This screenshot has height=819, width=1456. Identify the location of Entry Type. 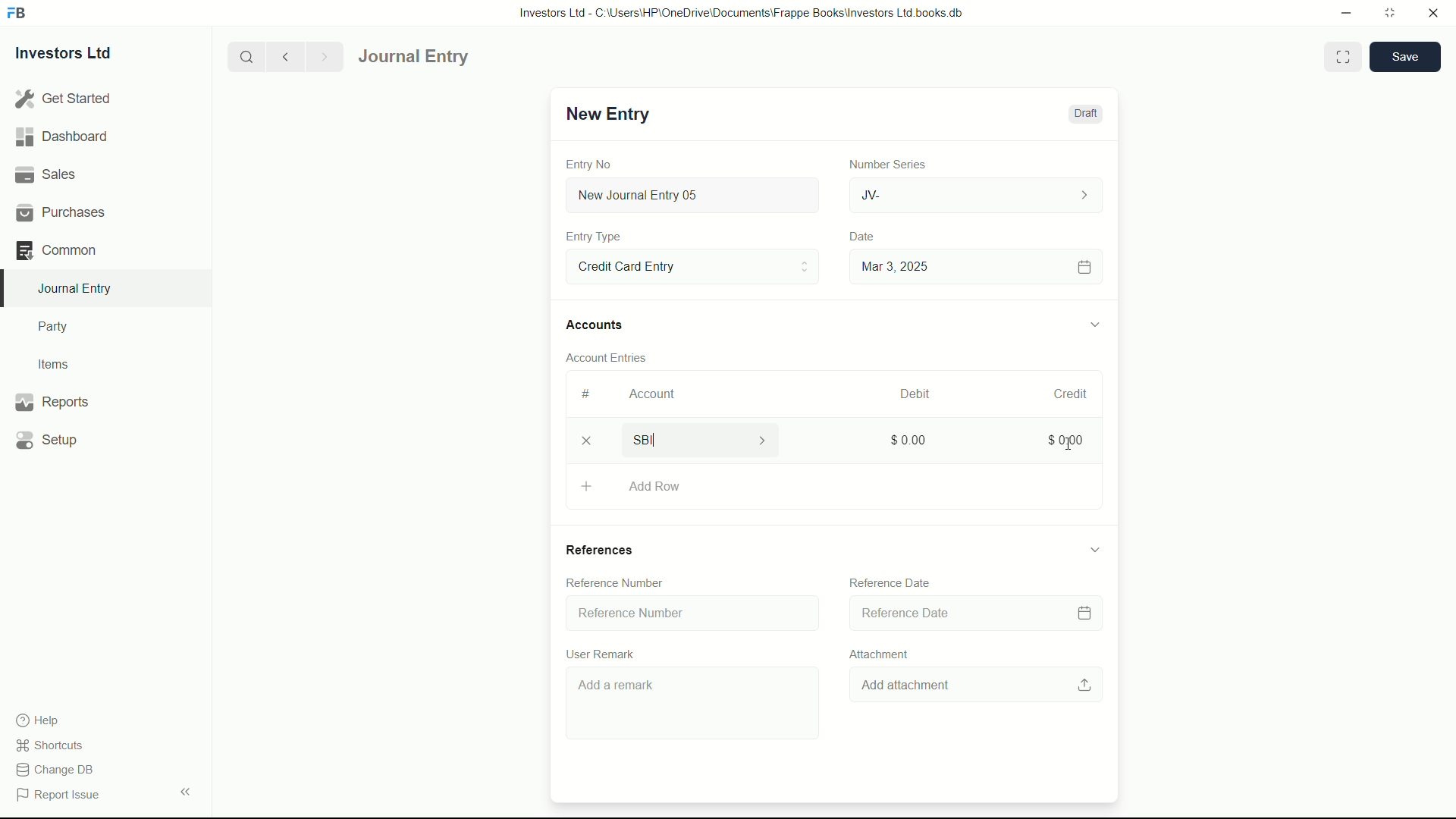
(594, 237).